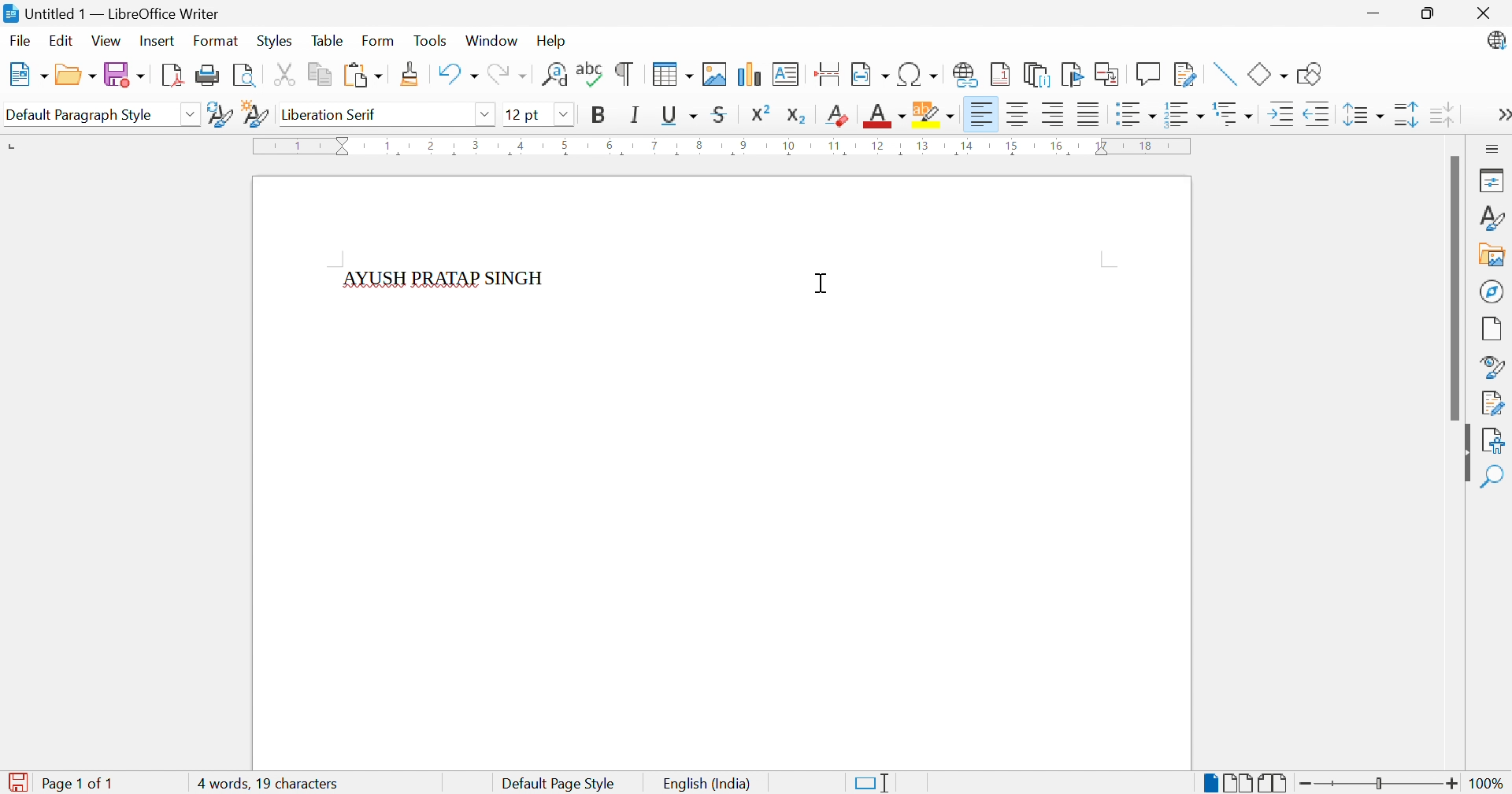 This screenshot has width=1512, height=794. What do you see at coordinates (321, 74) in the screenshot?
I see `Copy` at bounding box center [321, 74].